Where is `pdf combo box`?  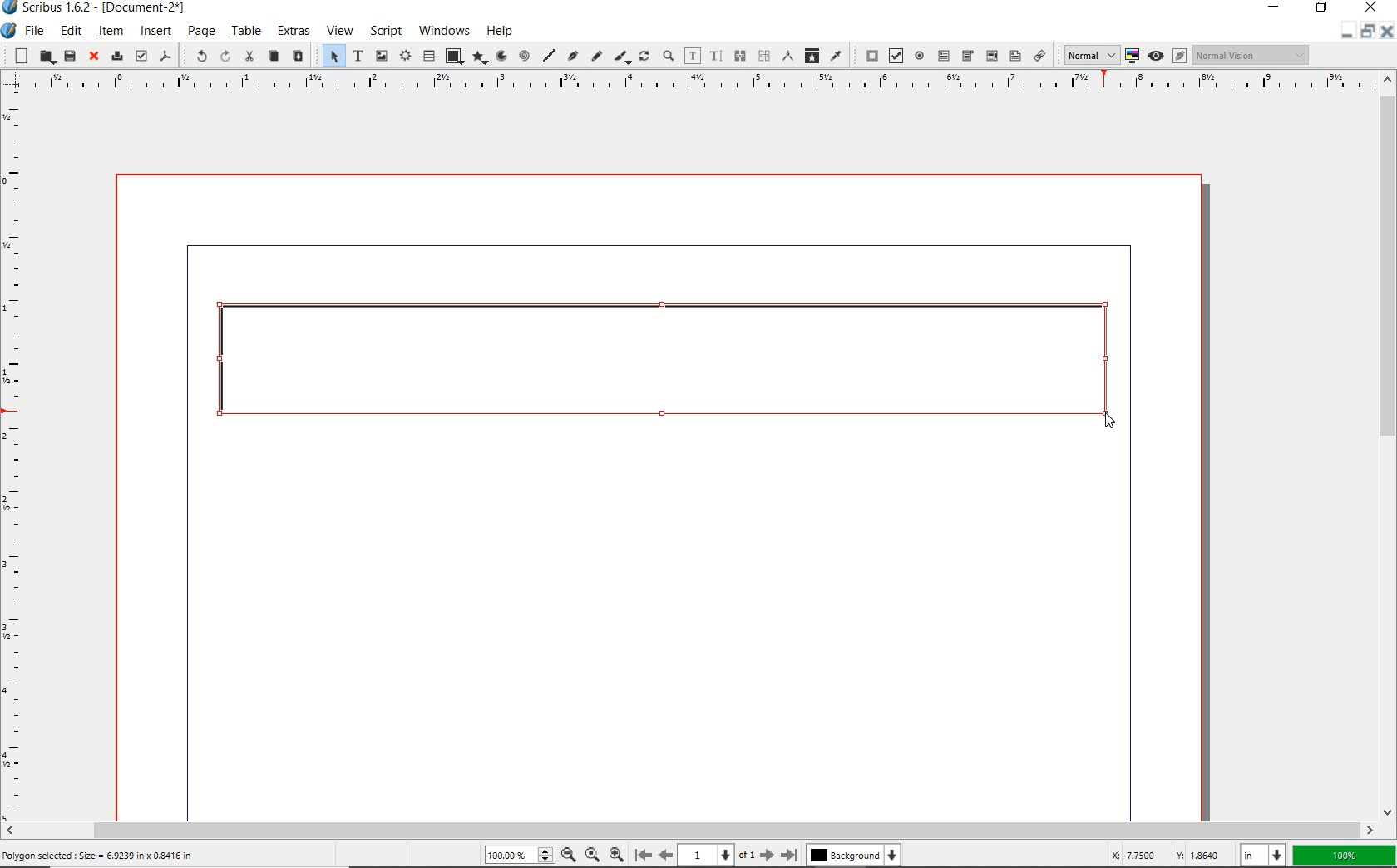 pdf combo box is located at coordinates (967, 57).